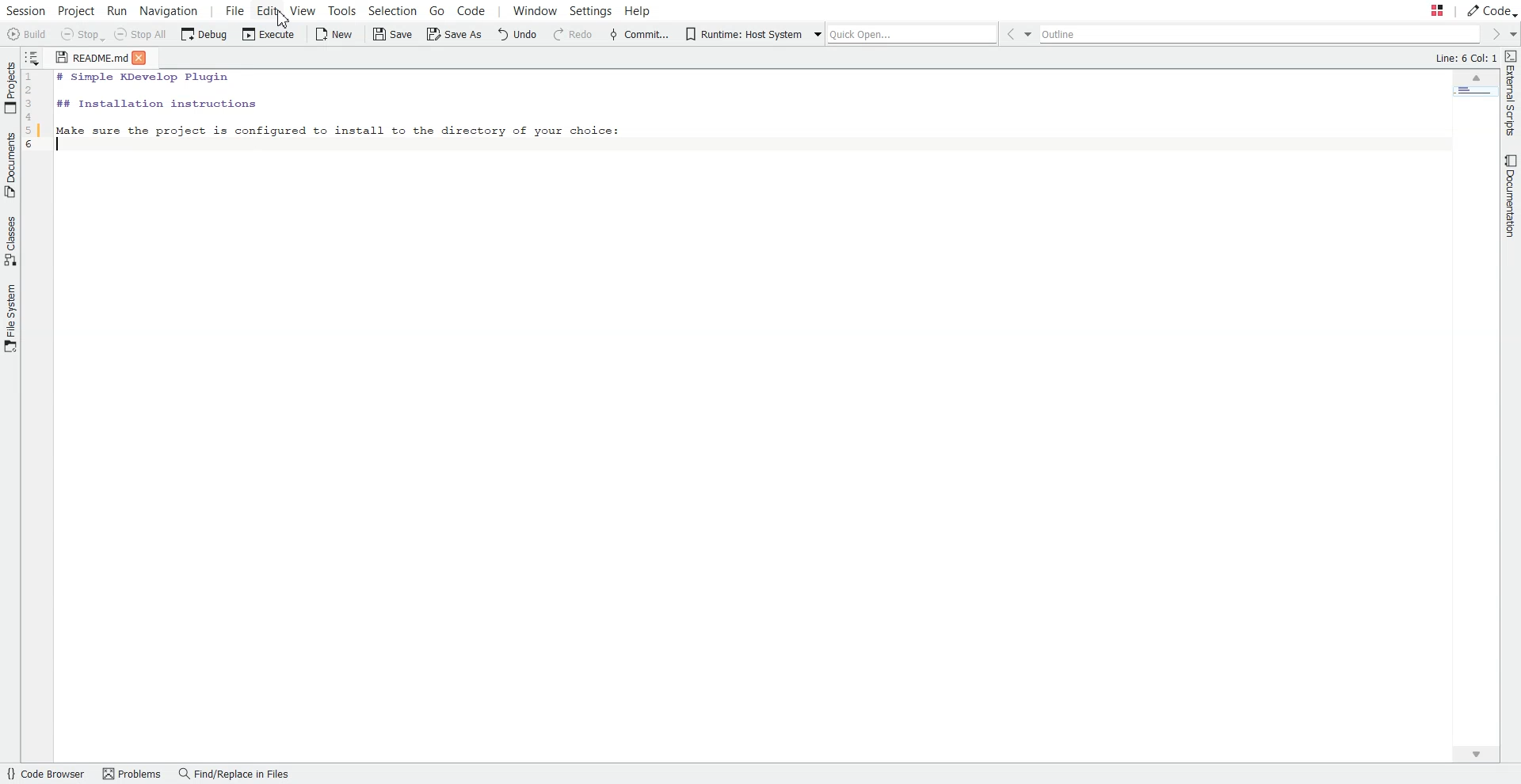  I want to click on Scroll up arrow, so click(1476, 79).